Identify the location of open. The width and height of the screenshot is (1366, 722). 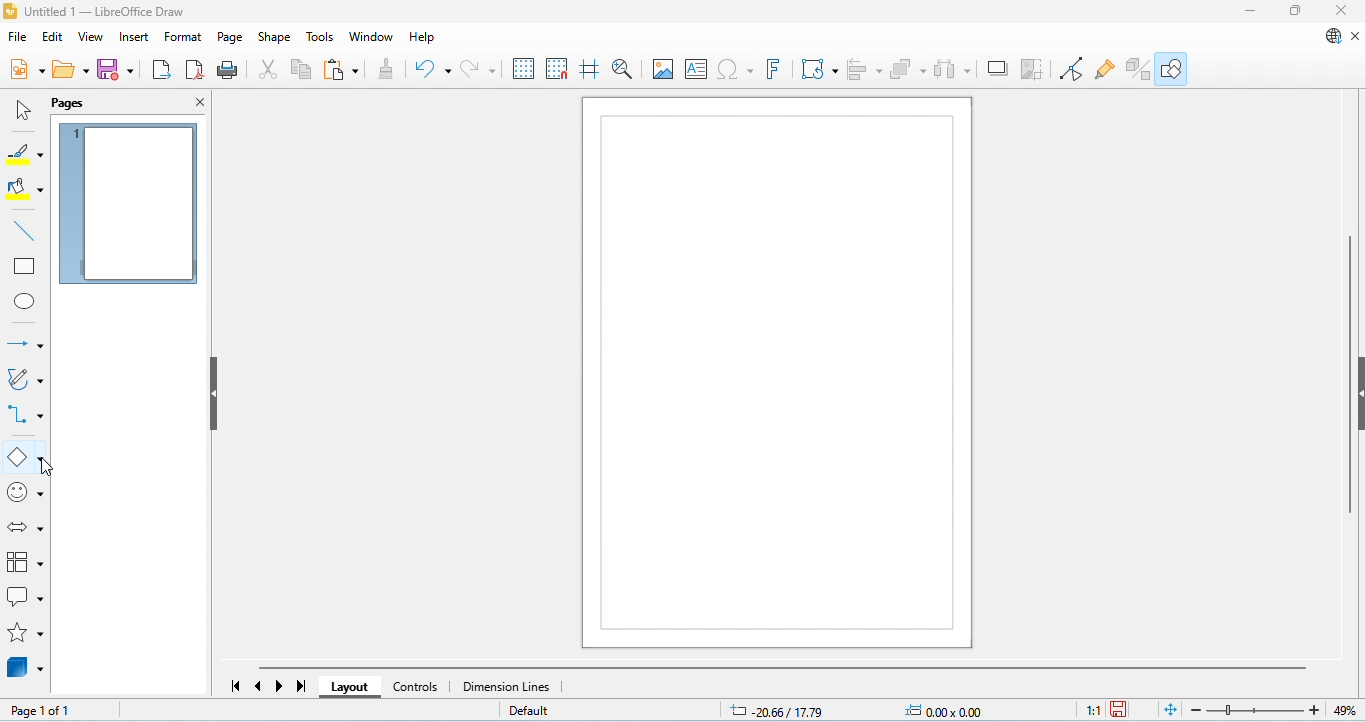
(70, 70).